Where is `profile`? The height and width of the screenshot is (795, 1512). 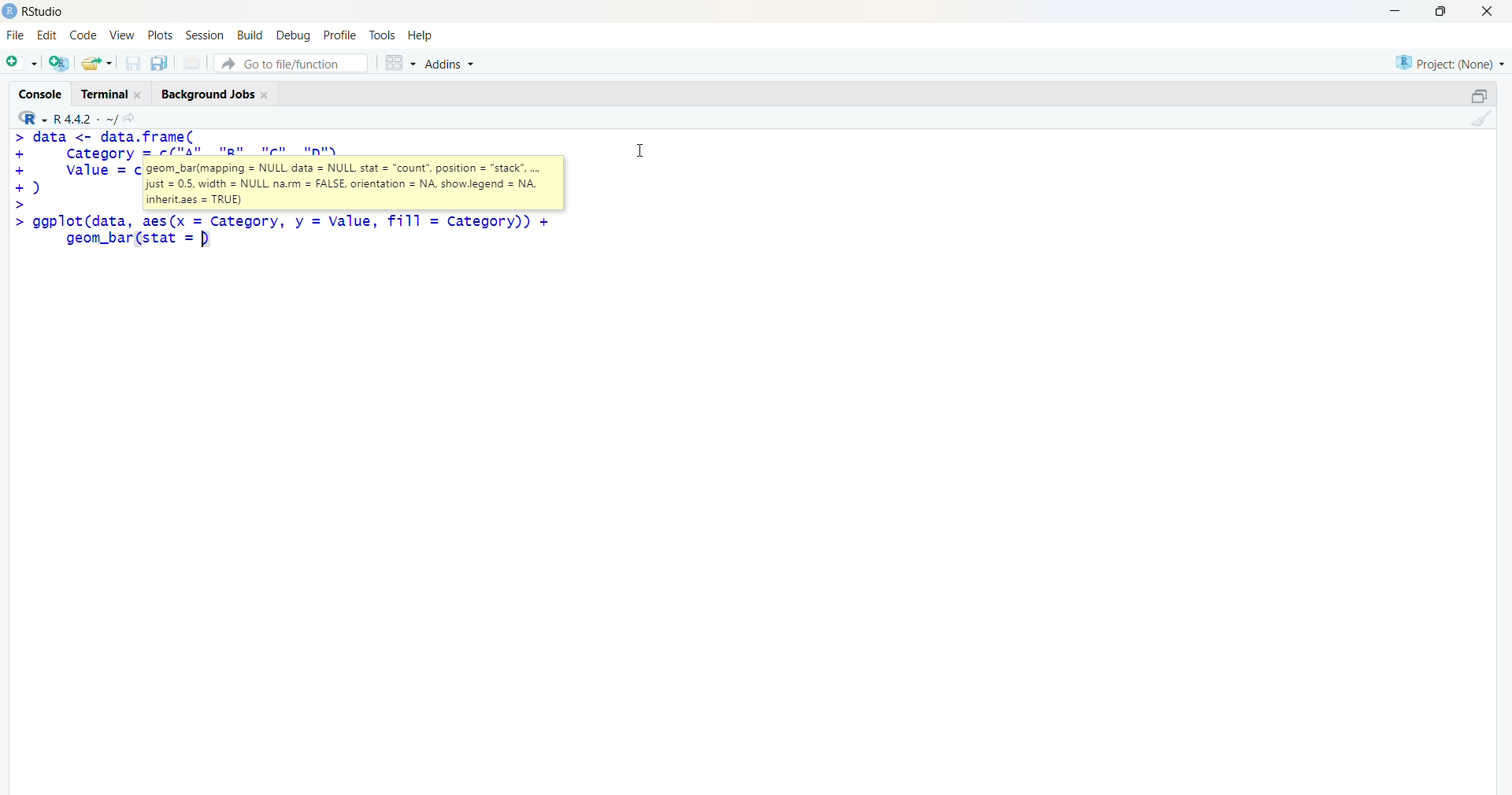
profile is located at coordinates (339, 36).